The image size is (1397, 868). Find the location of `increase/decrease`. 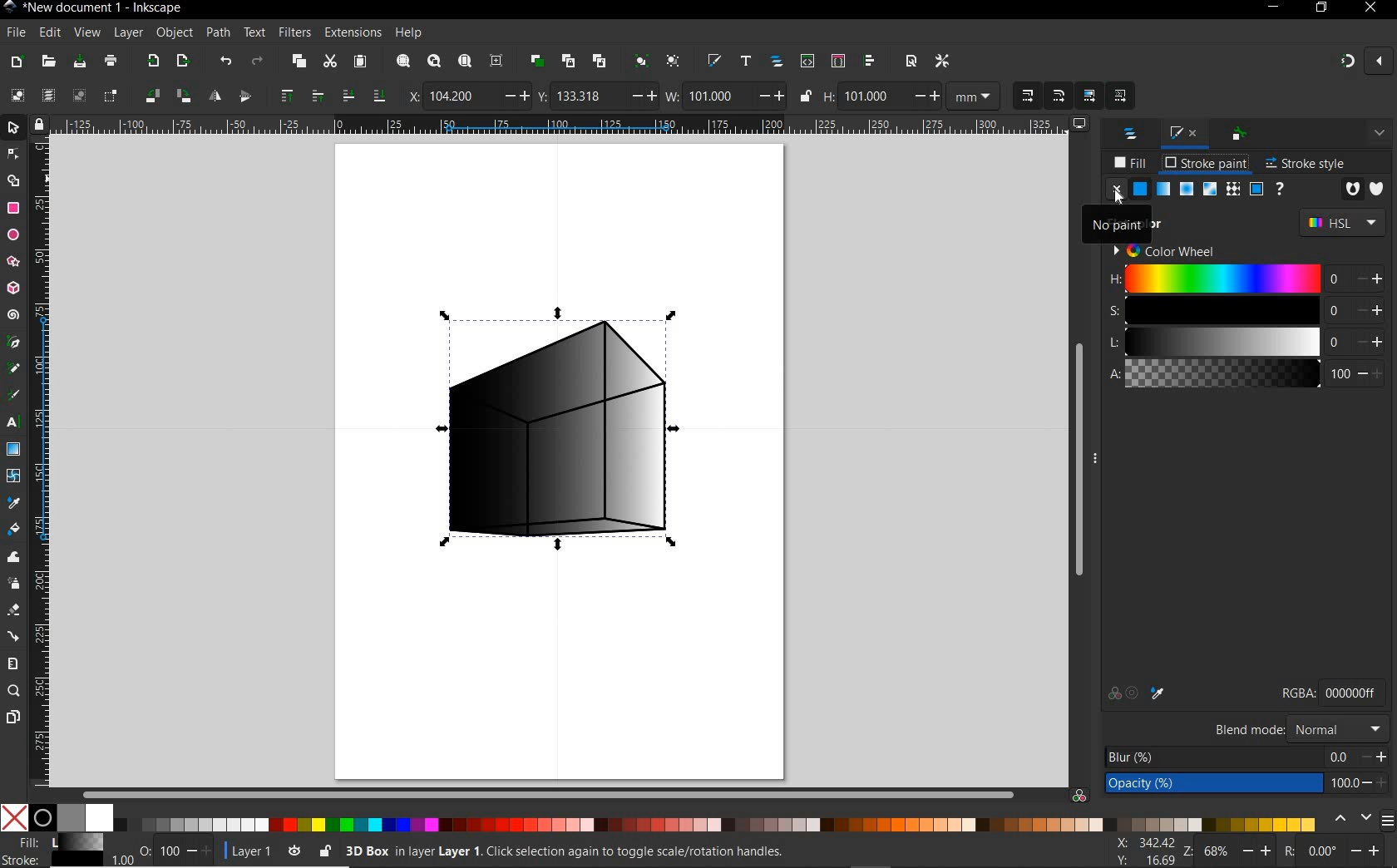

increase/decrease is located at coordinates (200, 851).